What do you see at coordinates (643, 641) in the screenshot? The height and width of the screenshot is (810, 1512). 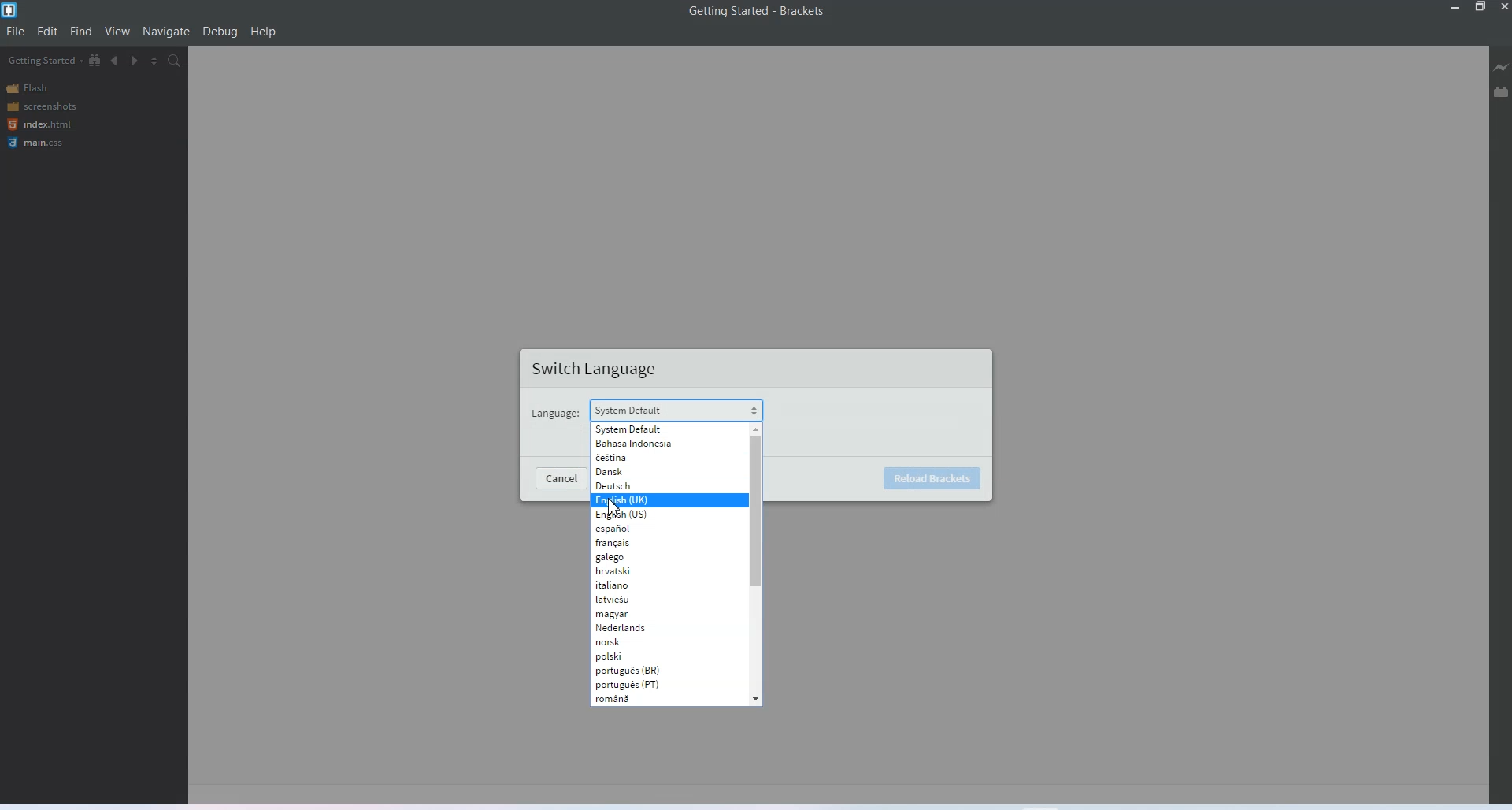 I see `norsk` at bounding box center [643, 641].